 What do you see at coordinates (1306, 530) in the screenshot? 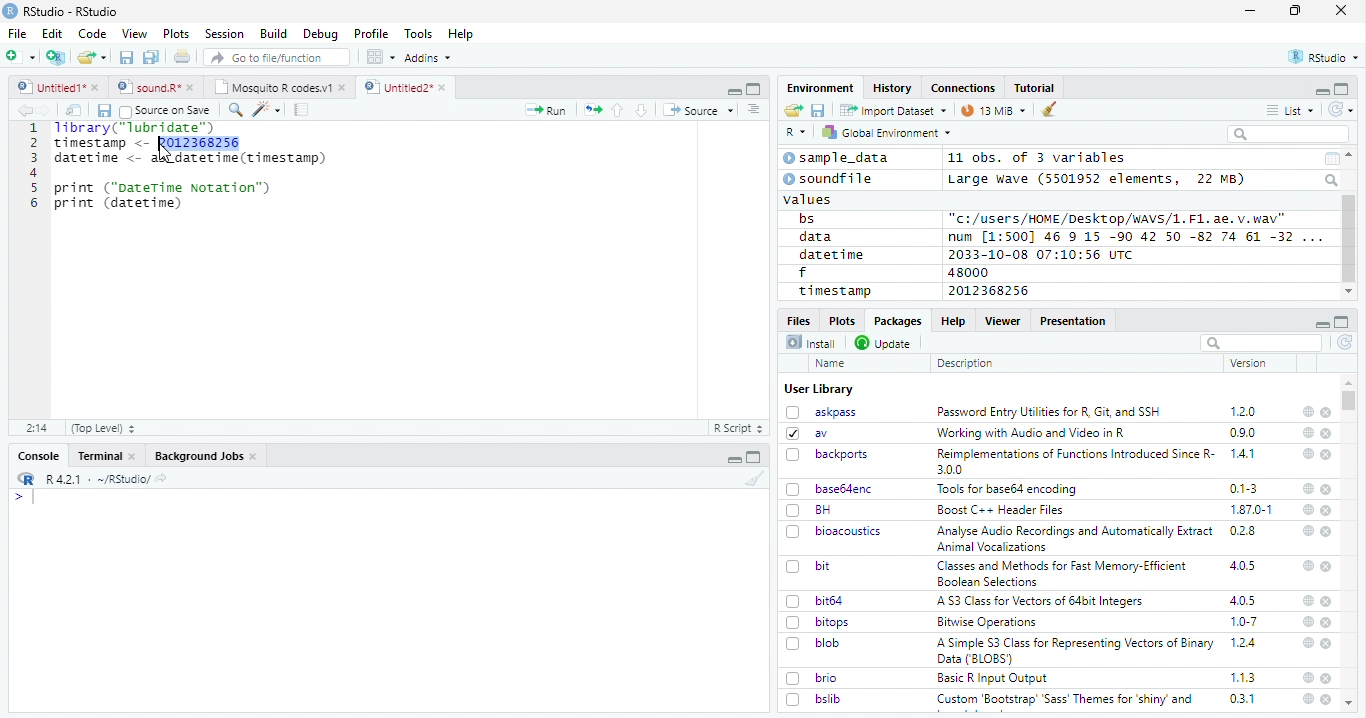
I see `help` at bounding box center [1306, 530].